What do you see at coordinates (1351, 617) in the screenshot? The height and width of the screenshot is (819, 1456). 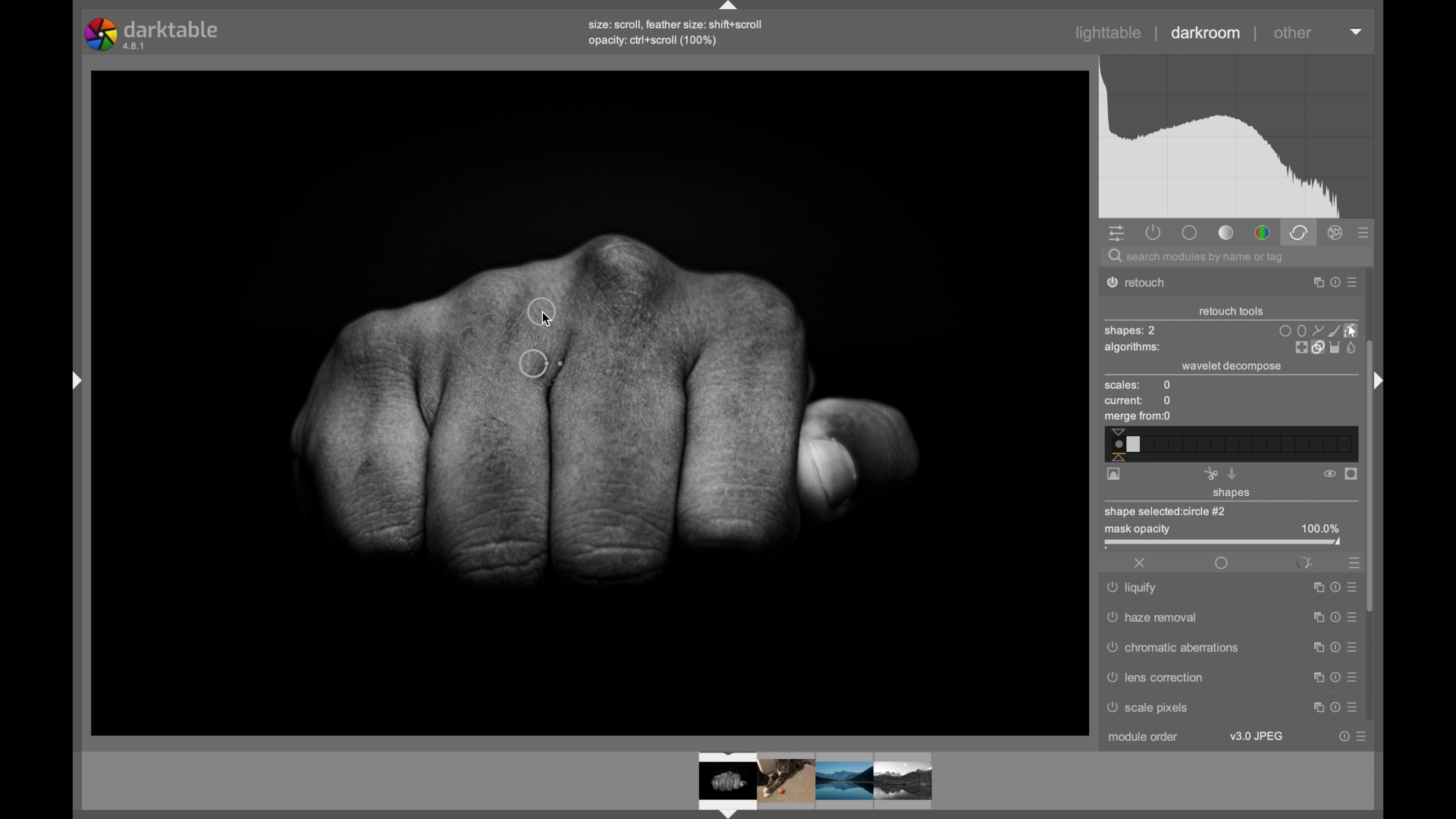 I see `more options` at bounding box center [1351, 617].